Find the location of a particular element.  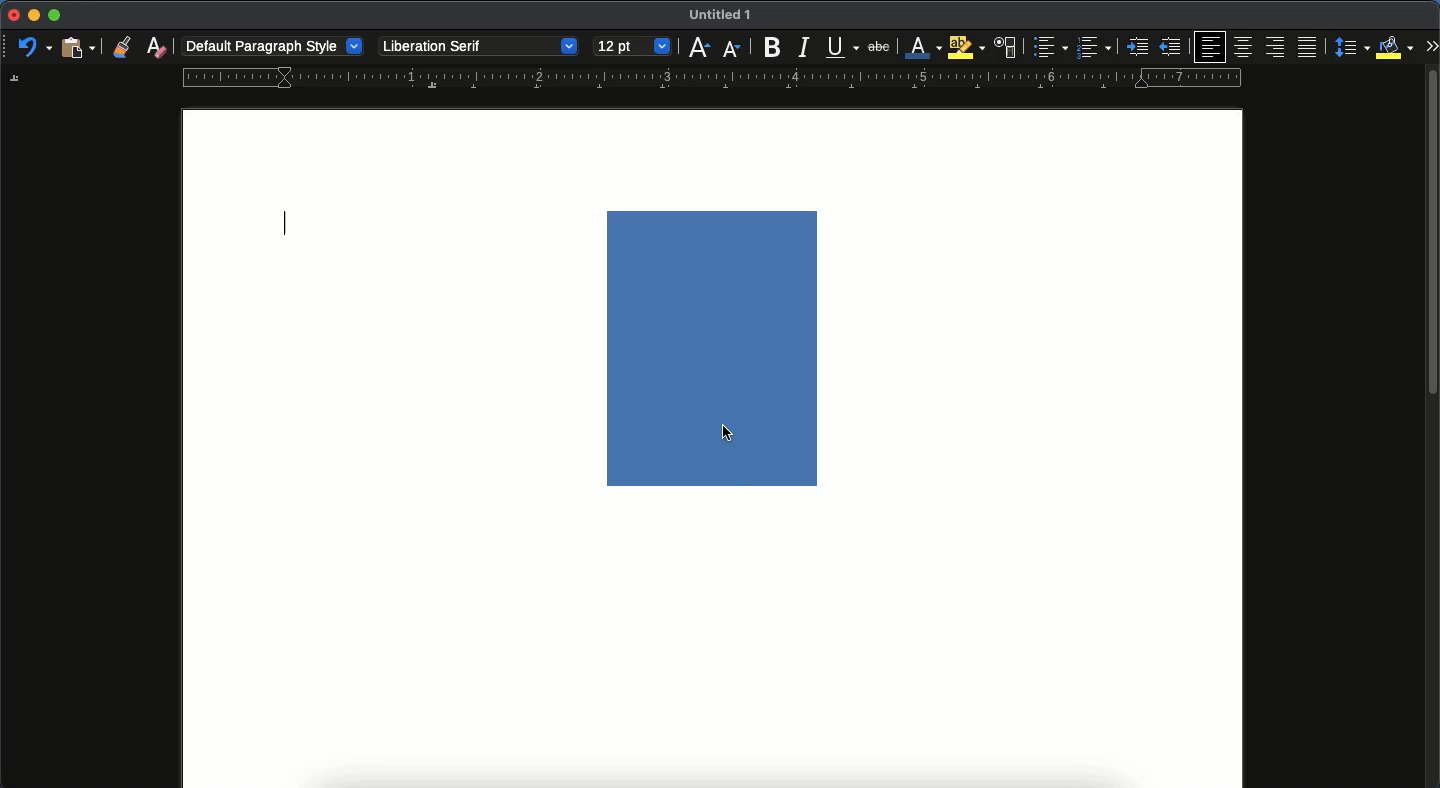

decrease font is located at coordinates (733, 50).